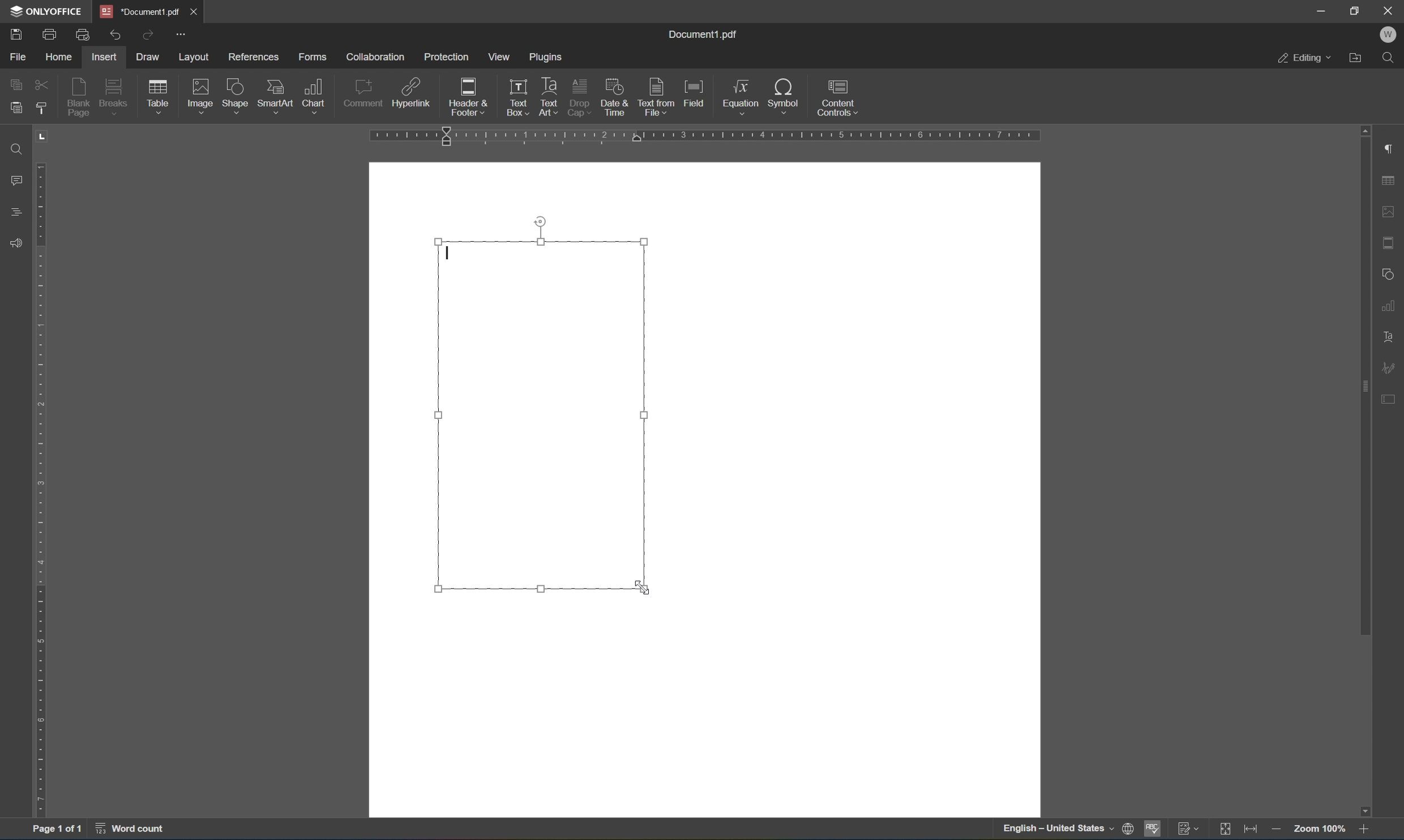  Describe the element at coordinates (19, 58) in the screenshot. I see `File` at that location.